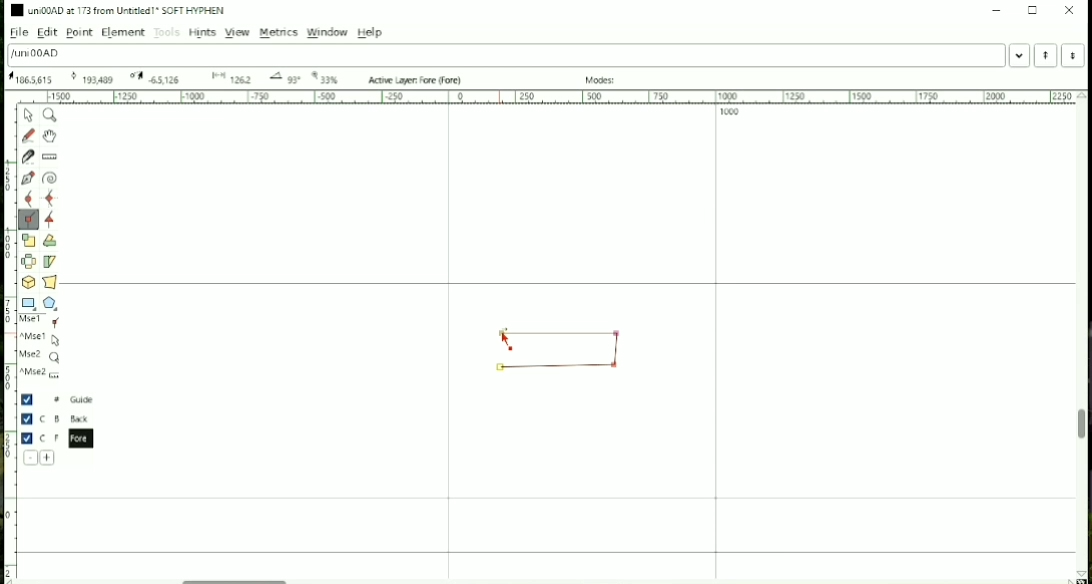 The image size is (1092, 584). I want to click on Mse2, so click(41, 357).